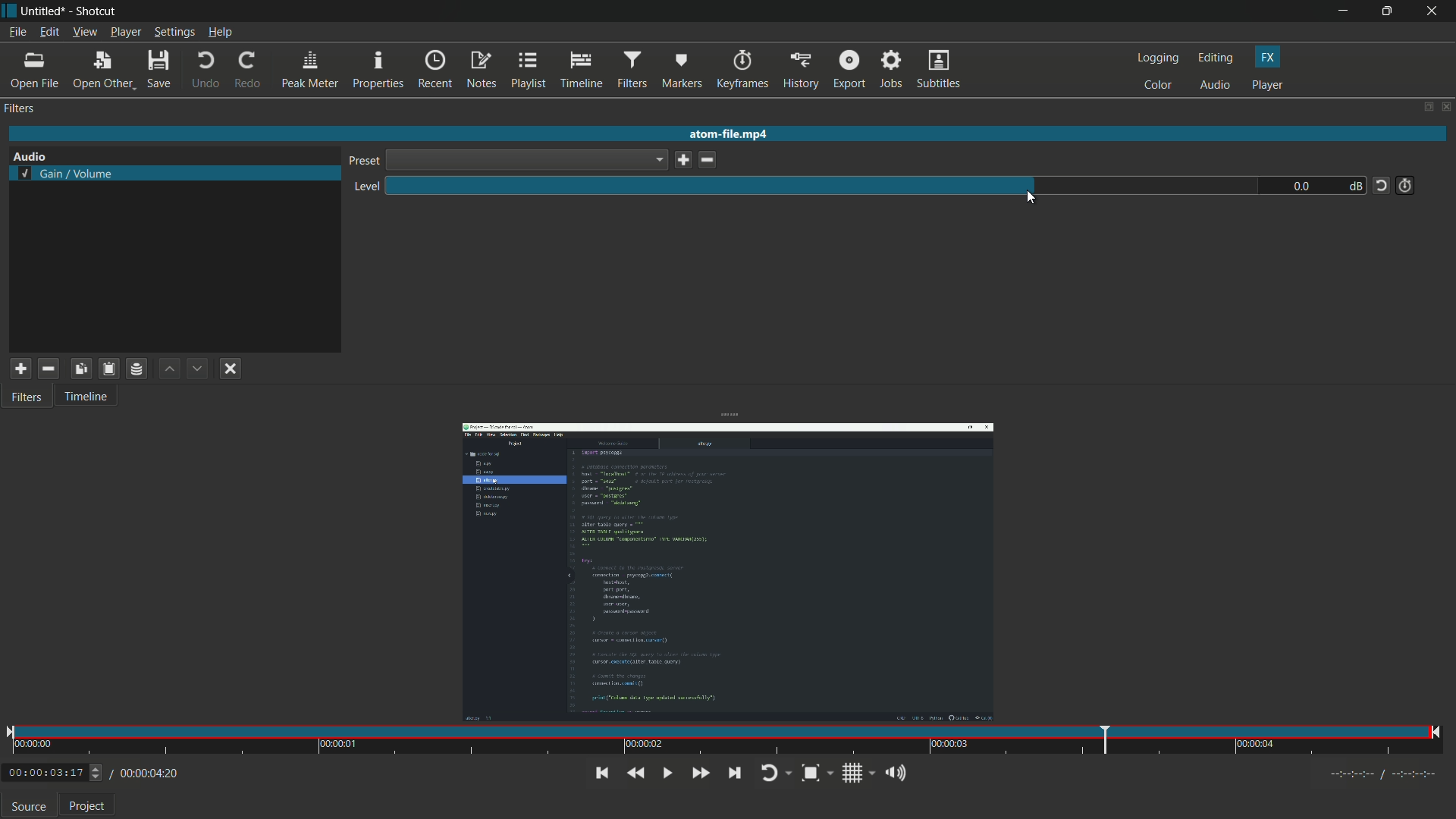  What do you see at coordinates (219, 32) in the screenshot?
I see `help menu` at bounding box center [219, 32].